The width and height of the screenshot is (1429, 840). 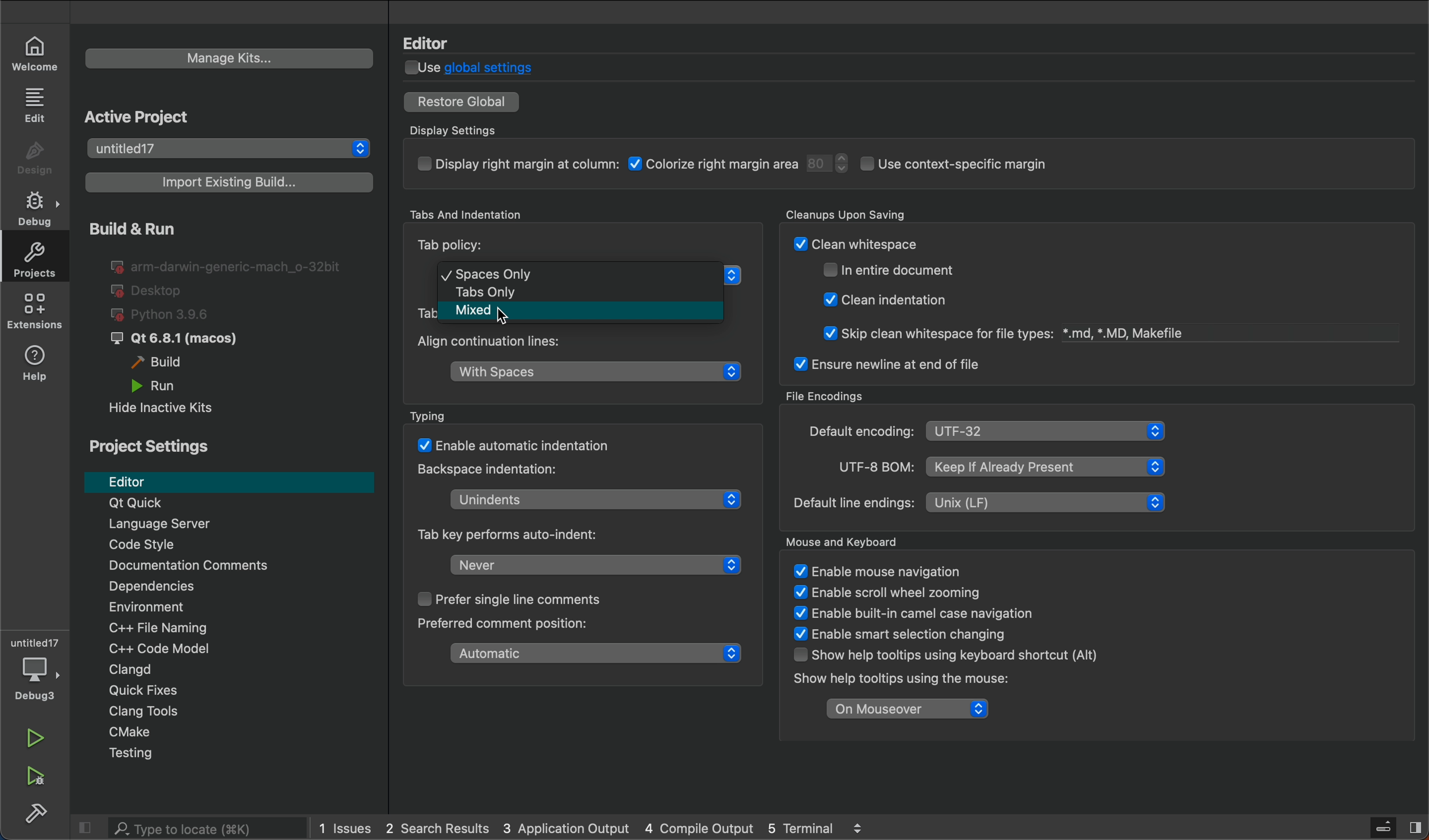 What do you see at coordinates (503, 625) in the screenshot?
I see `preferend comment` at bounding box center [503, 625].